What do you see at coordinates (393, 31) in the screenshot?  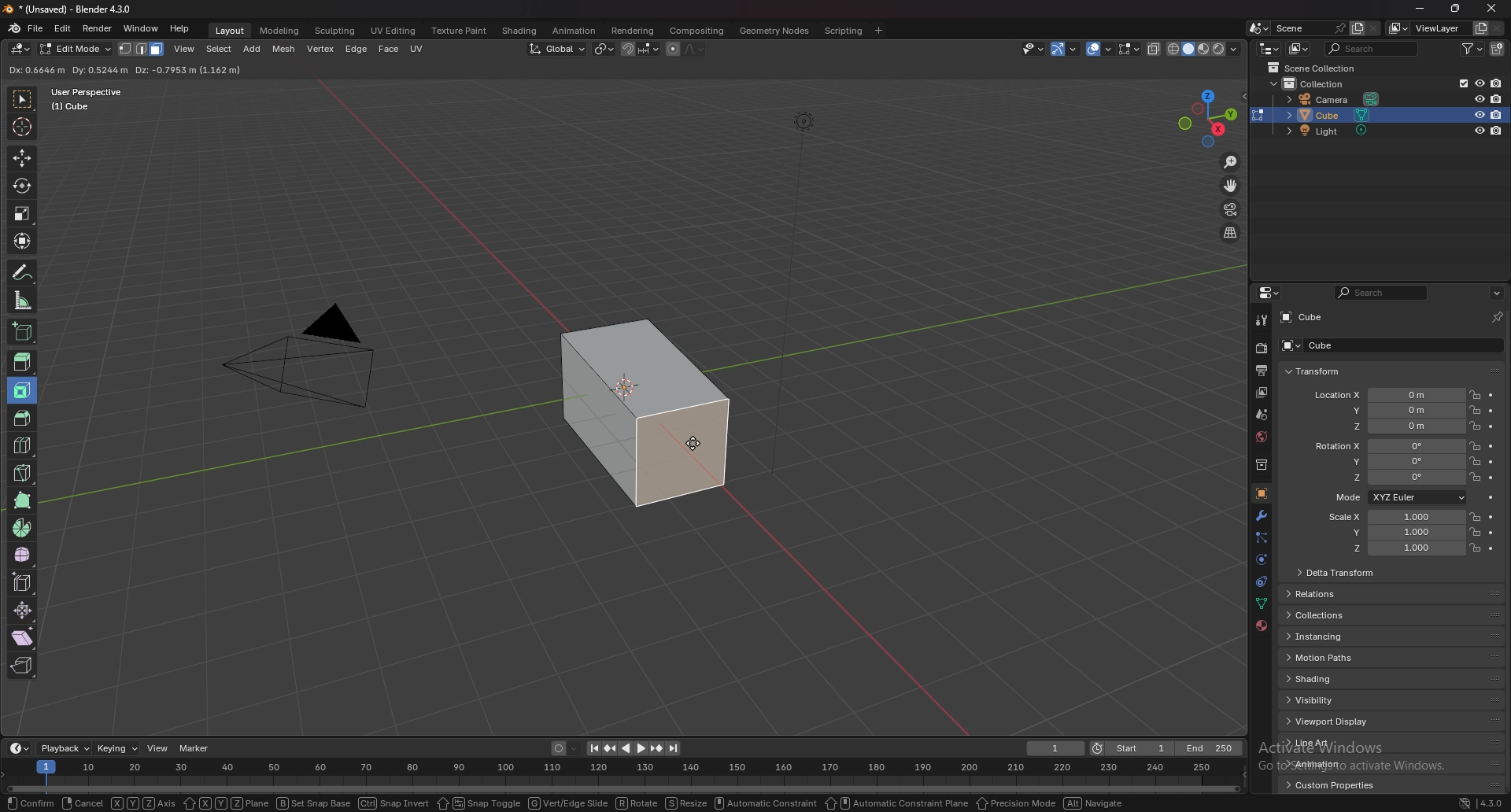 I see `uv editing` at bounding box center [393, 31].